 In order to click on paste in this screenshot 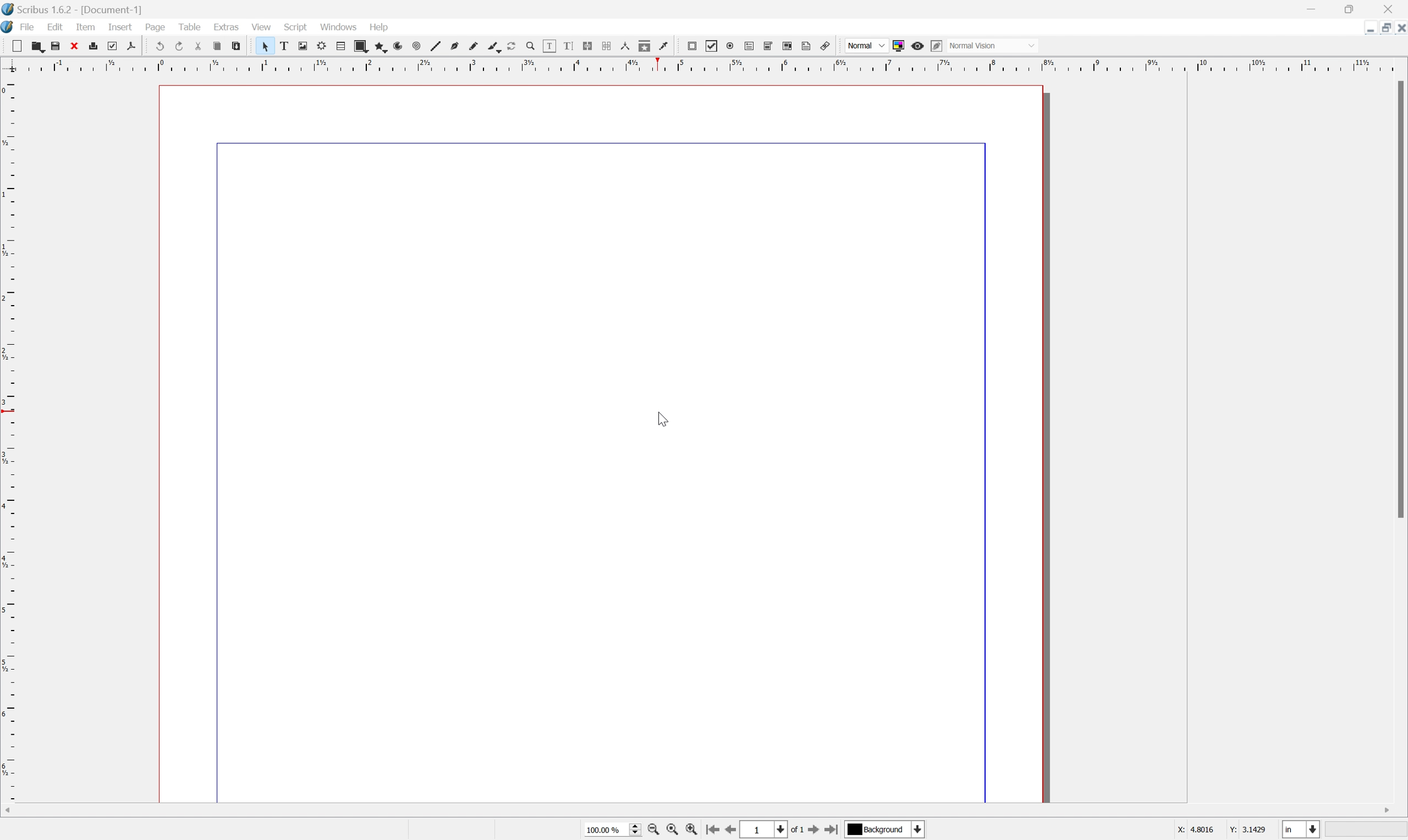, I will do `click(237, 46)`.